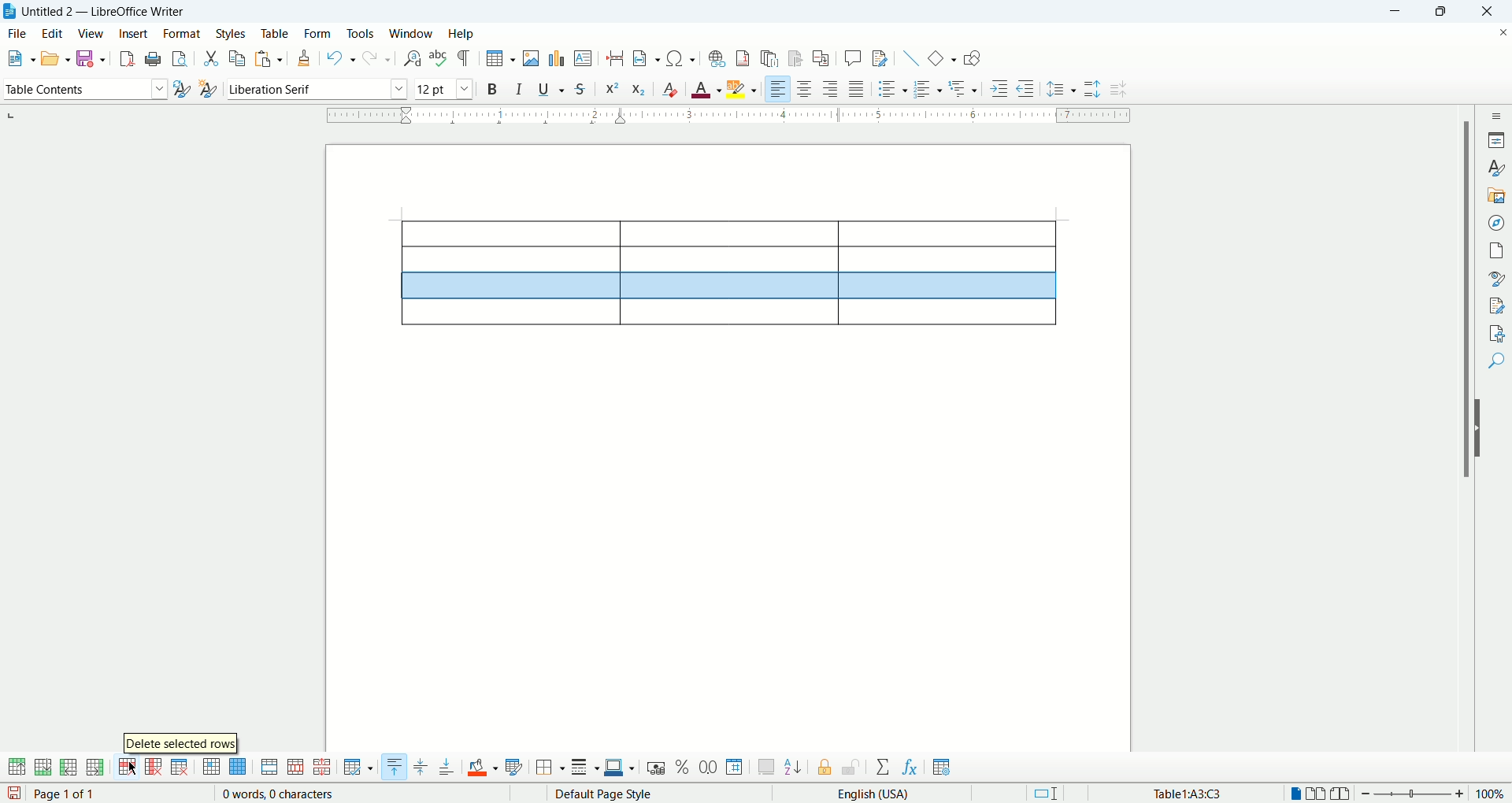  What do you see at coordinates (1091, 91) in the screenshot?
I see `increase line spacing` at bounding box center [1091, 91].